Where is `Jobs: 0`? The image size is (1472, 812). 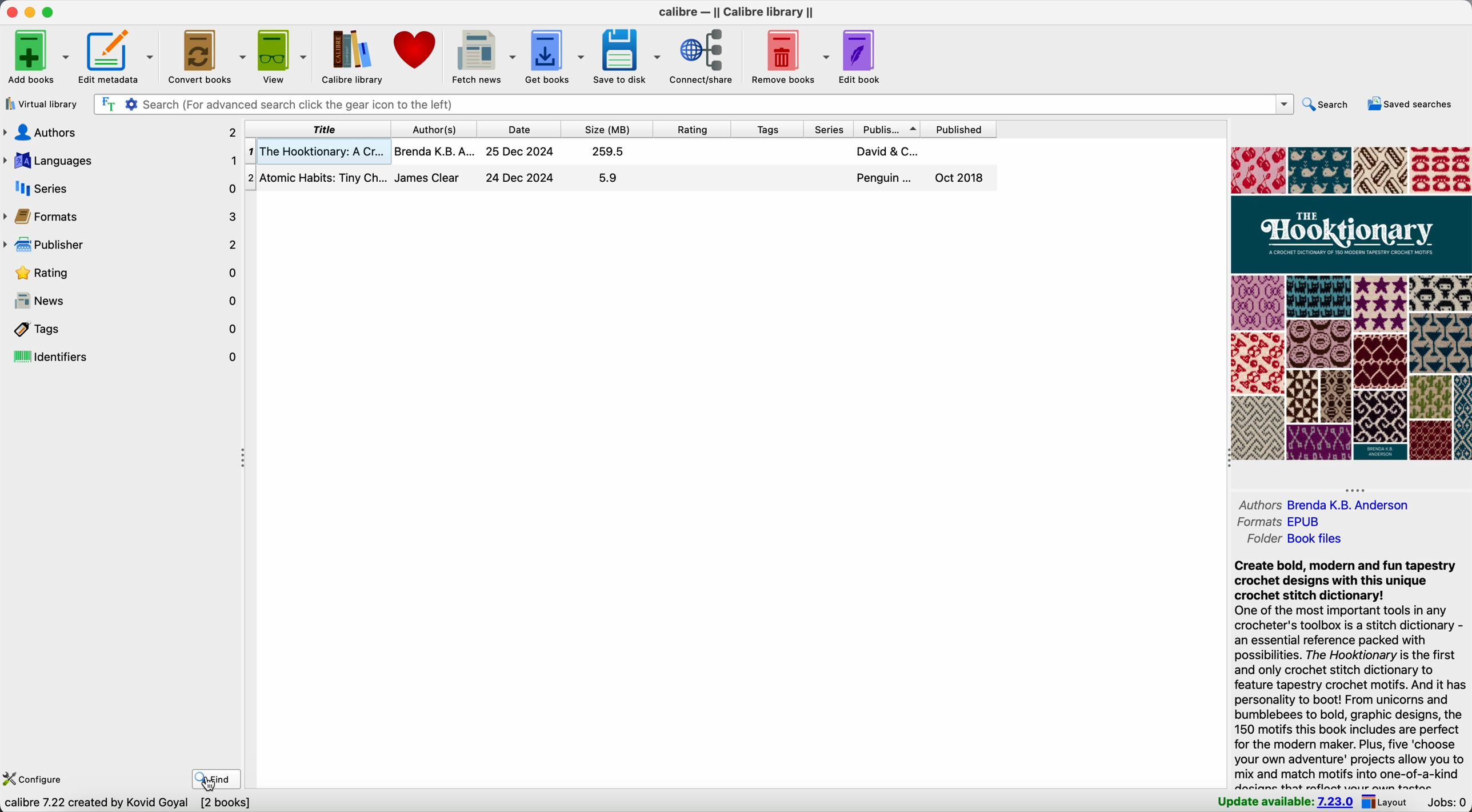
Jobs: 0 is located at coordinates (1447, 802).